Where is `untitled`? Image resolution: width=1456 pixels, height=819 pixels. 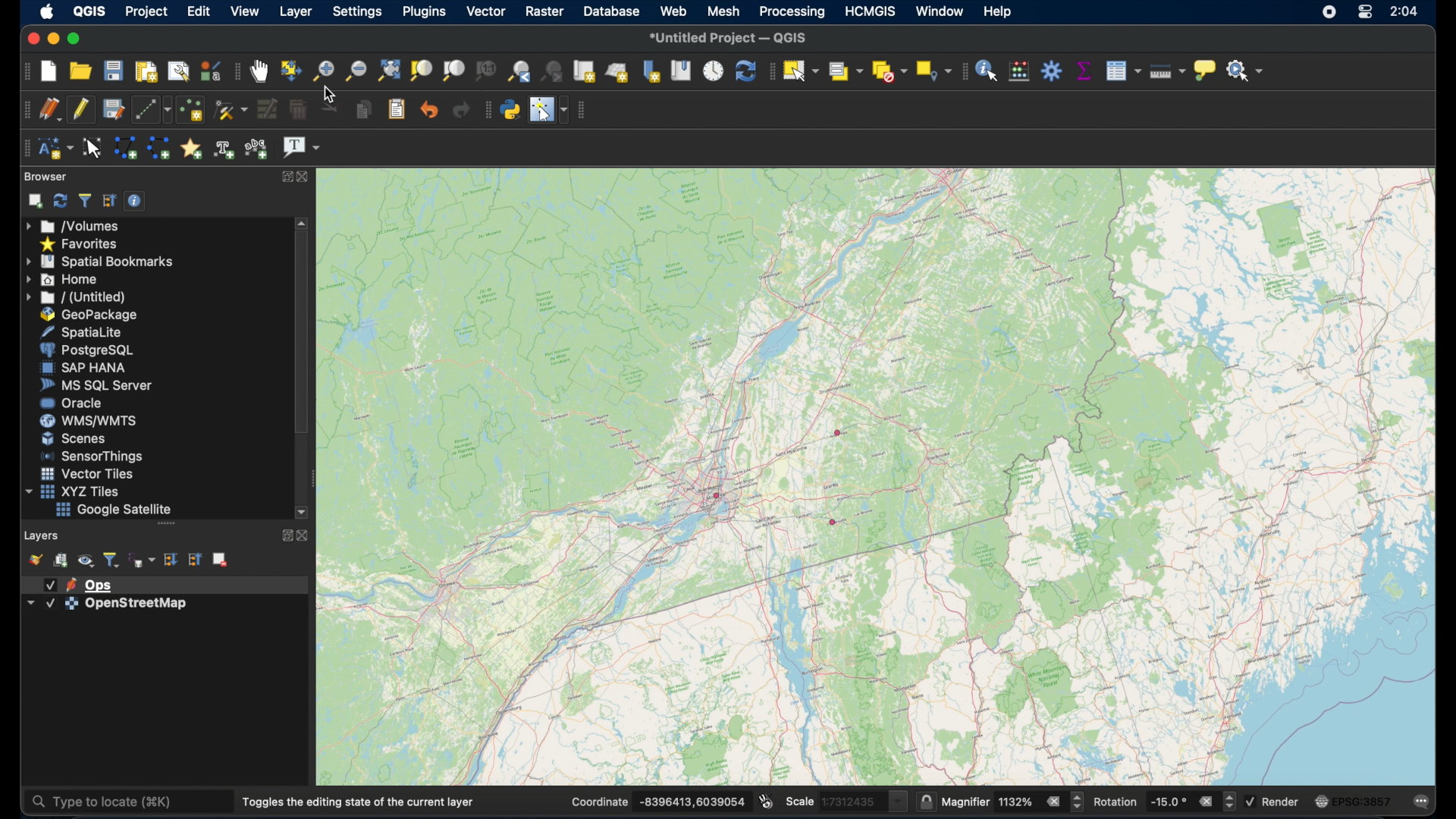 untitled is located at coordinates (74, 297).